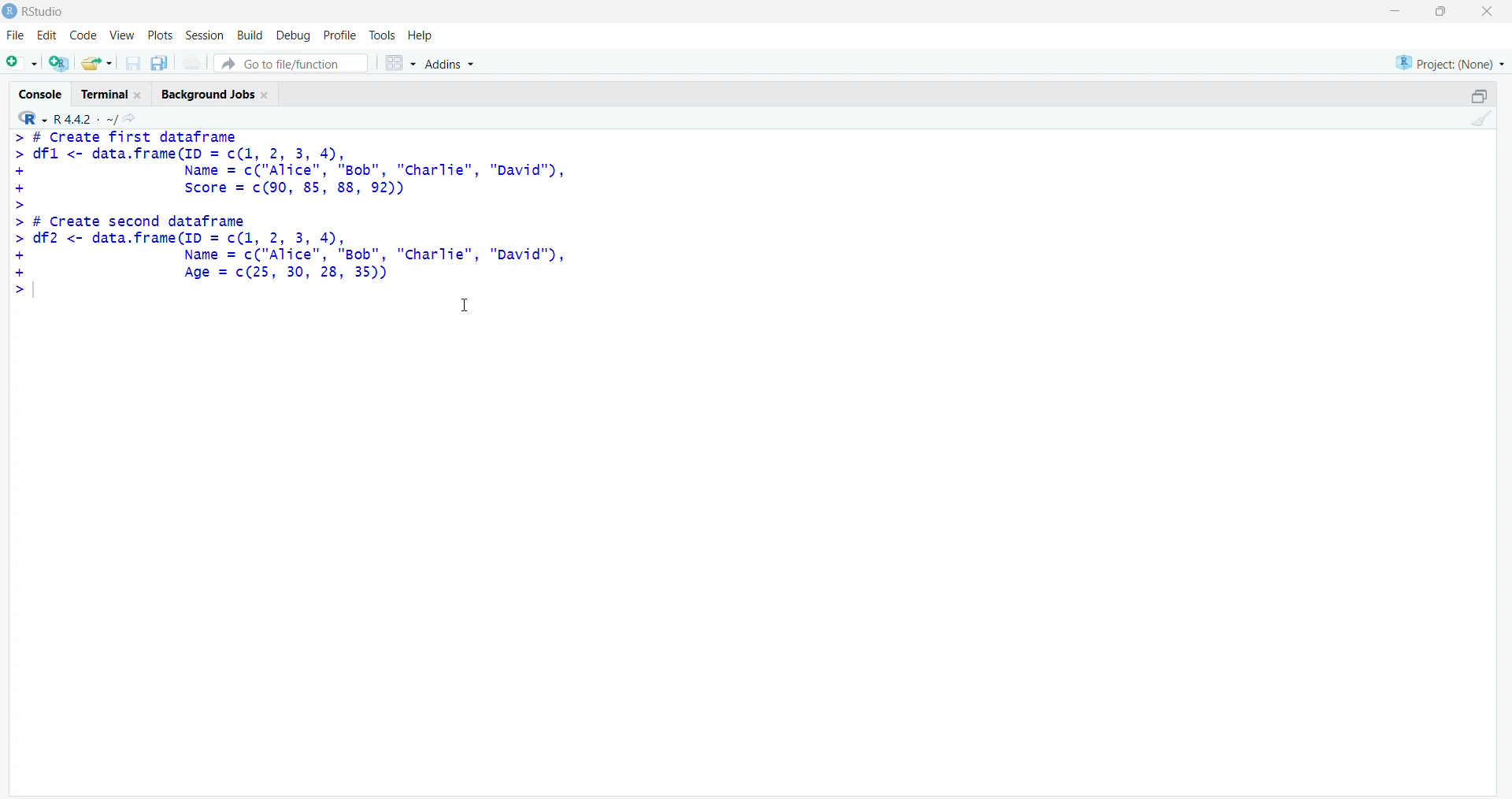 Image resolution: width=1512 pixels, height=799 pixels. What do you see at coordinates (17, 35) in the screenshot?
I see `file` at bounding box center [17, 35].